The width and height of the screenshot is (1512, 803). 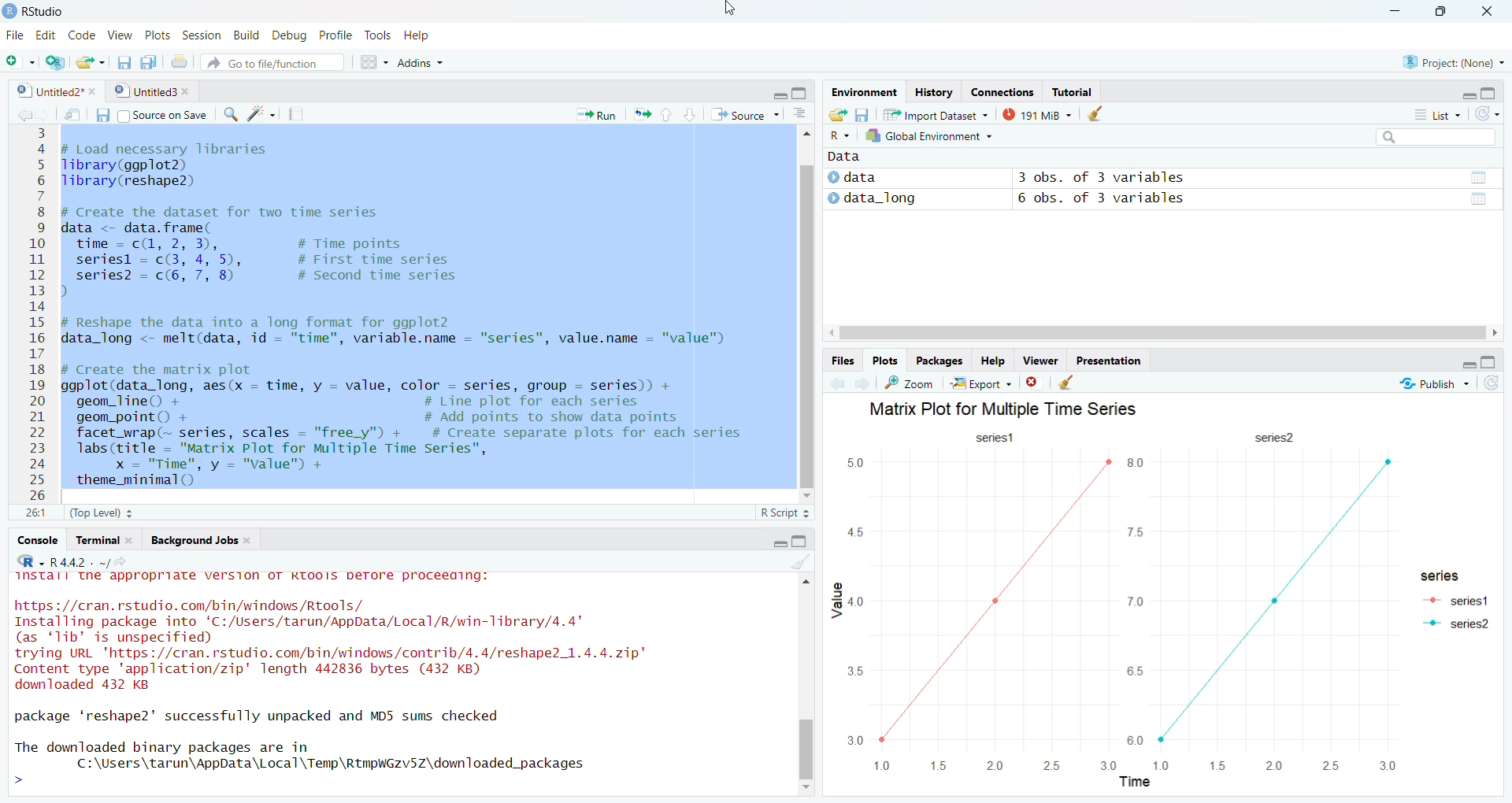 What do you see at coordinates (999, 437) in the screenshot?
I see `series1` at bounding box center [999, 437].